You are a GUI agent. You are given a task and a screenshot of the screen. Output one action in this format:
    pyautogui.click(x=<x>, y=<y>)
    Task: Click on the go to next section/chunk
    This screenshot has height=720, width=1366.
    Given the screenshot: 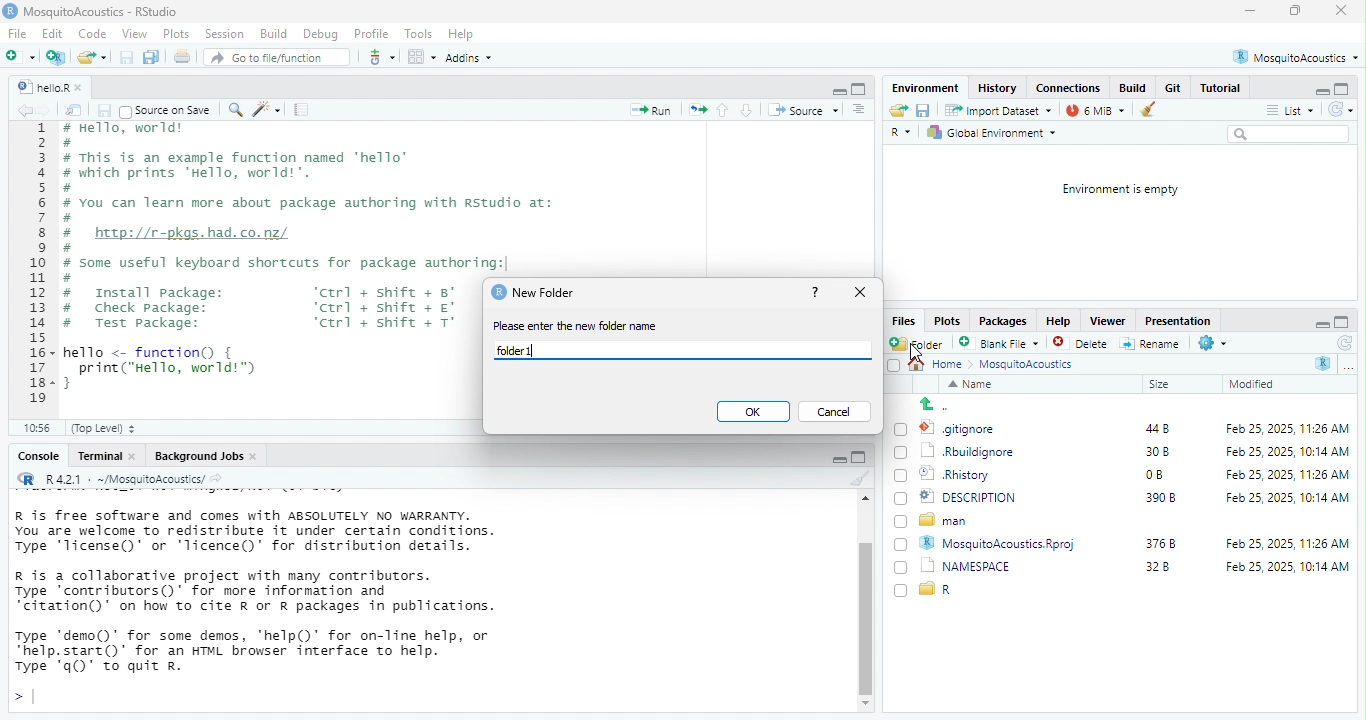 What is the action you would take?
    pyautogui.click(x=748, y=112)
    